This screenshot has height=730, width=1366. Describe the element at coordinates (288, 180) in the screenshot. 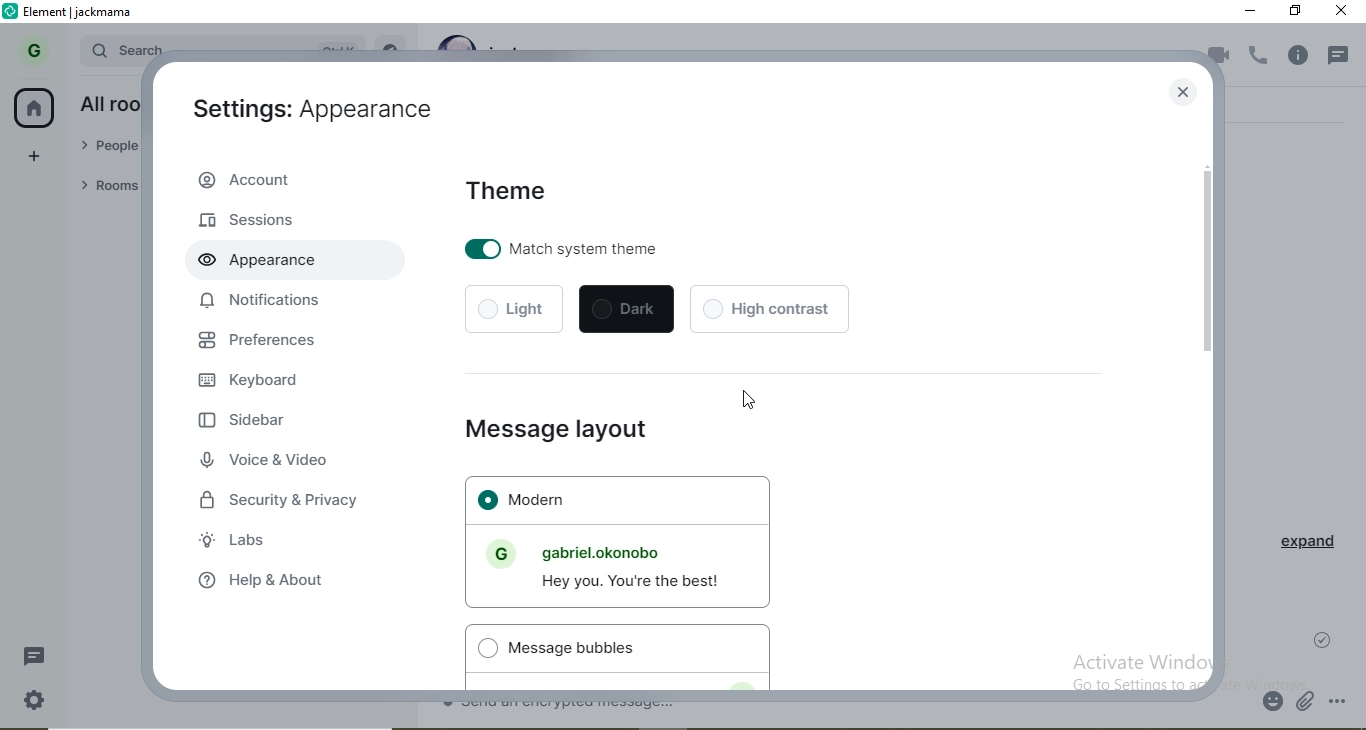

I see `account` at that location.